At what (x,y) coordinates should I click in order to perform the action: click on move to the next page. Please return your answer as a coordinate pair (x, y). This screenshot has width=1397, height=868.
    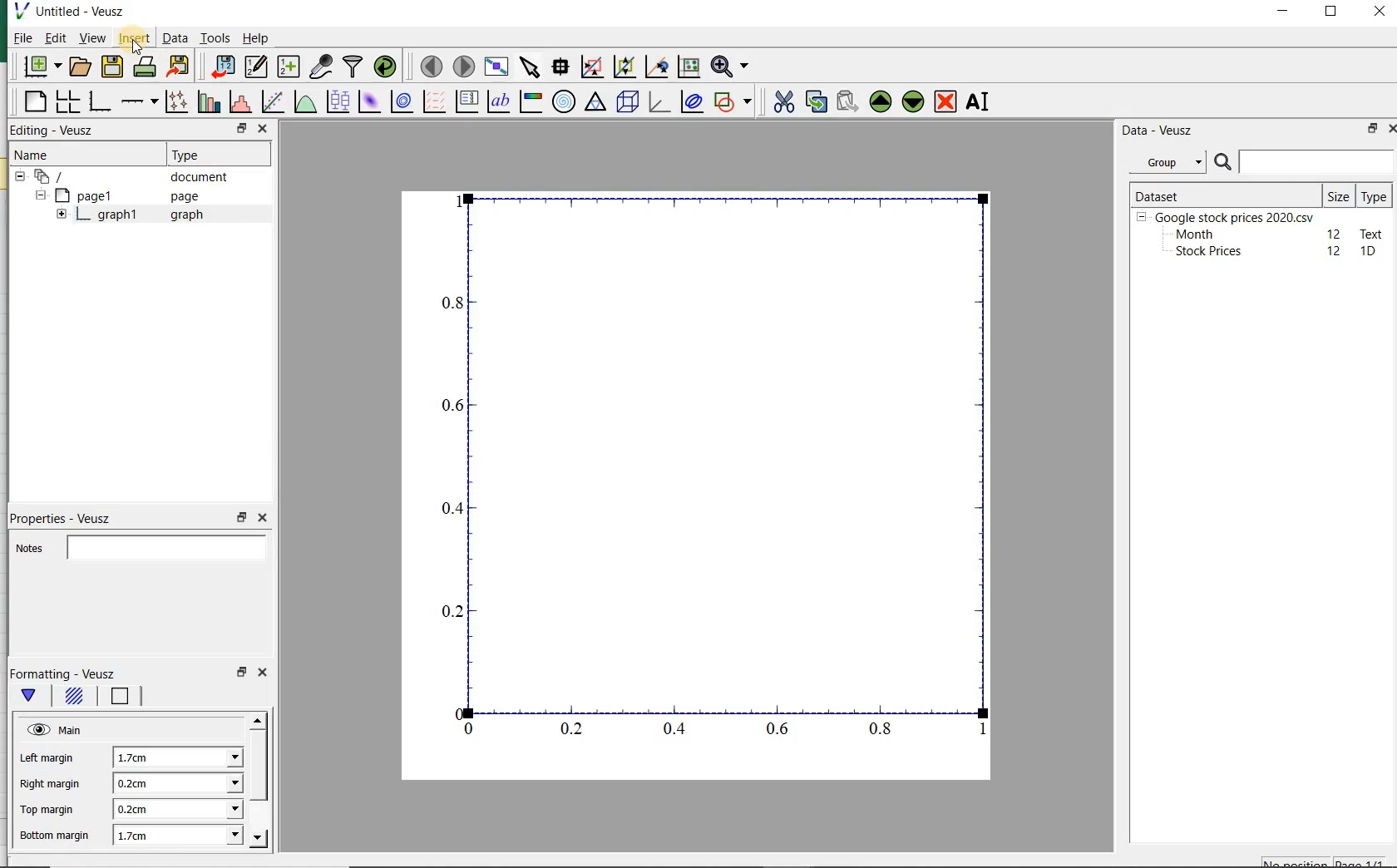
    Looking at the image, I should click on (464, 67).